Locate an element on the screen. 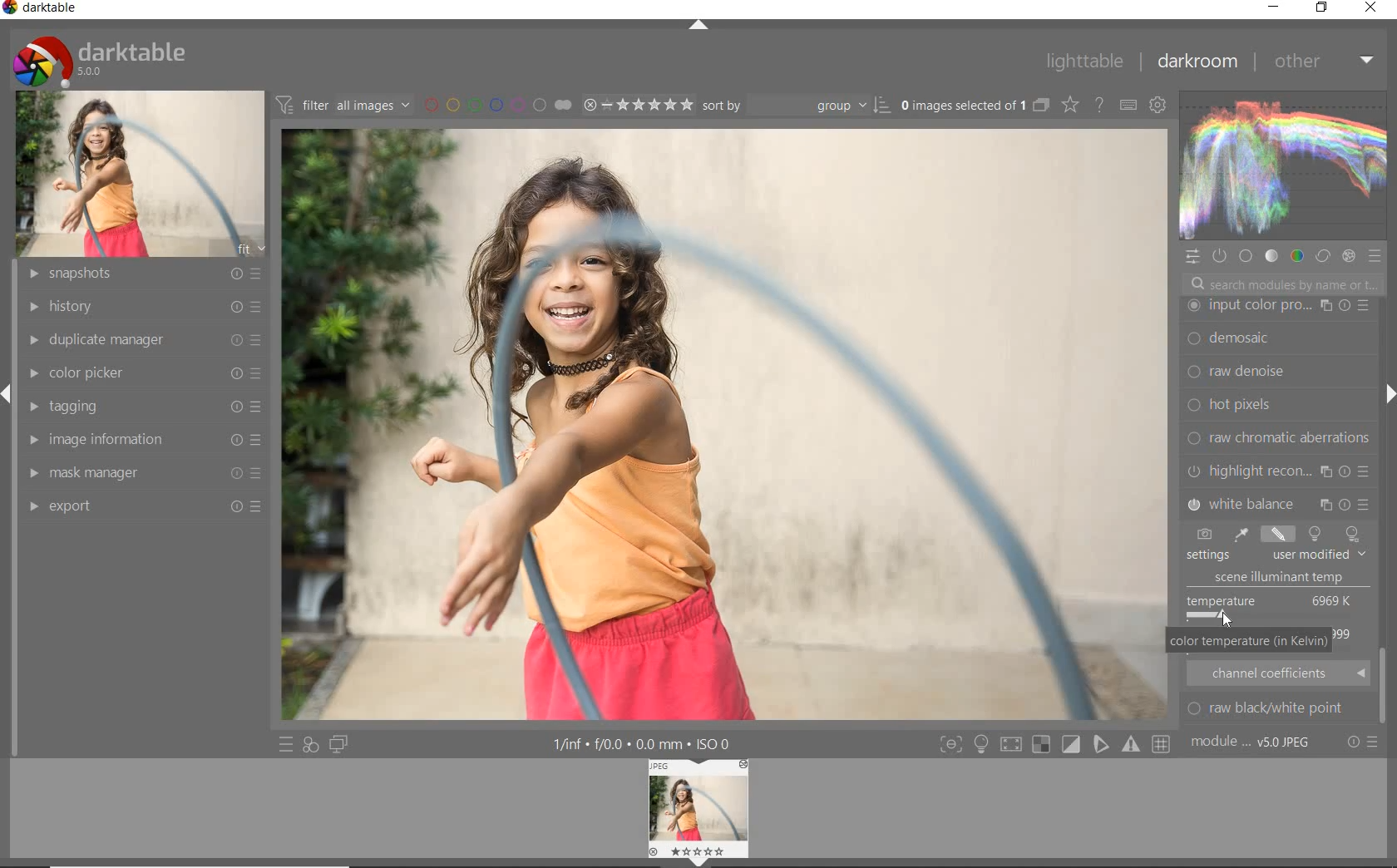 The height and width of the screenshot is (868, 1397). selected image range rating is located at coordinates (637, 103).